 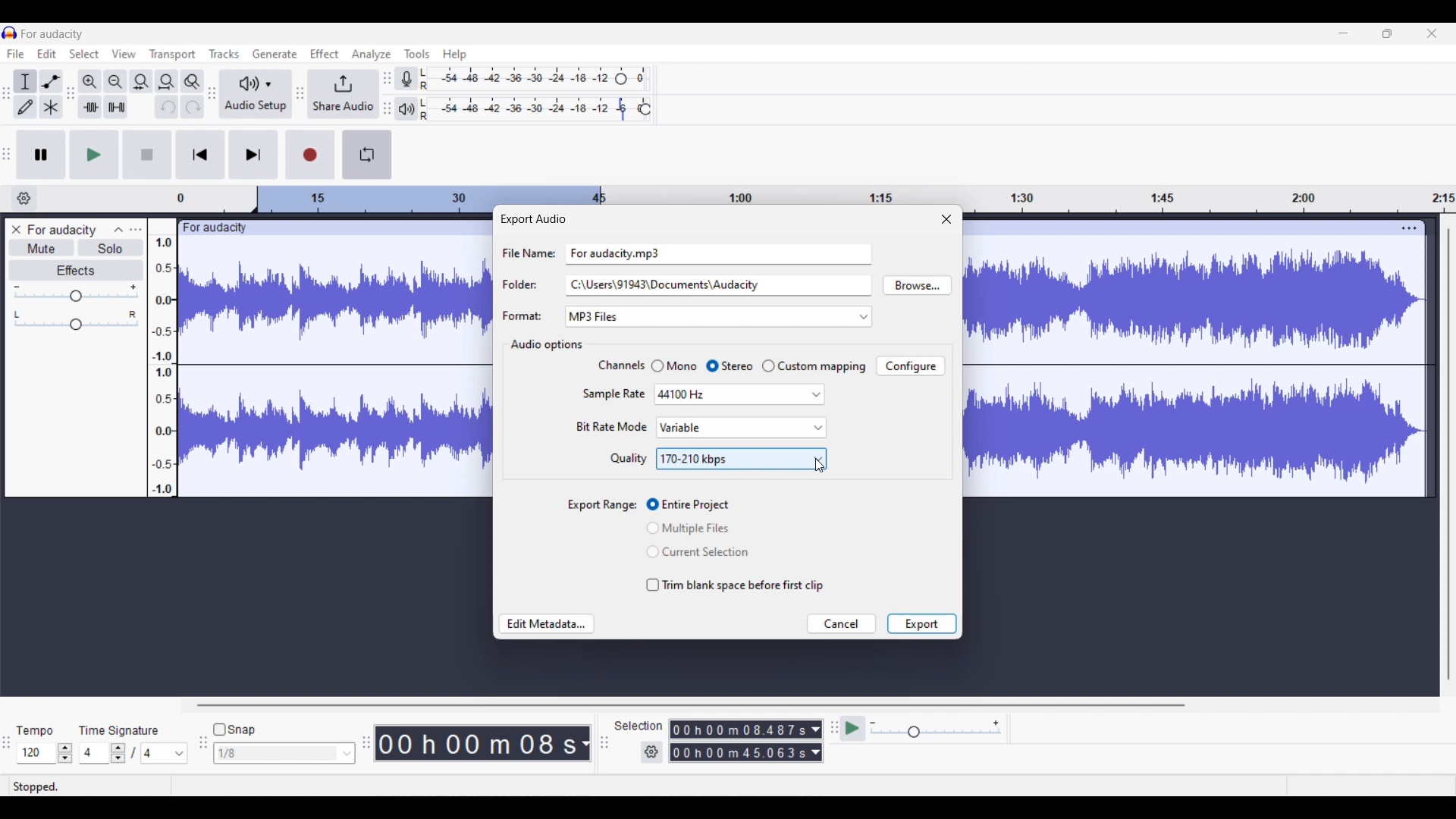 I want to click on Record/Record new track, so click(x=311, y=155).